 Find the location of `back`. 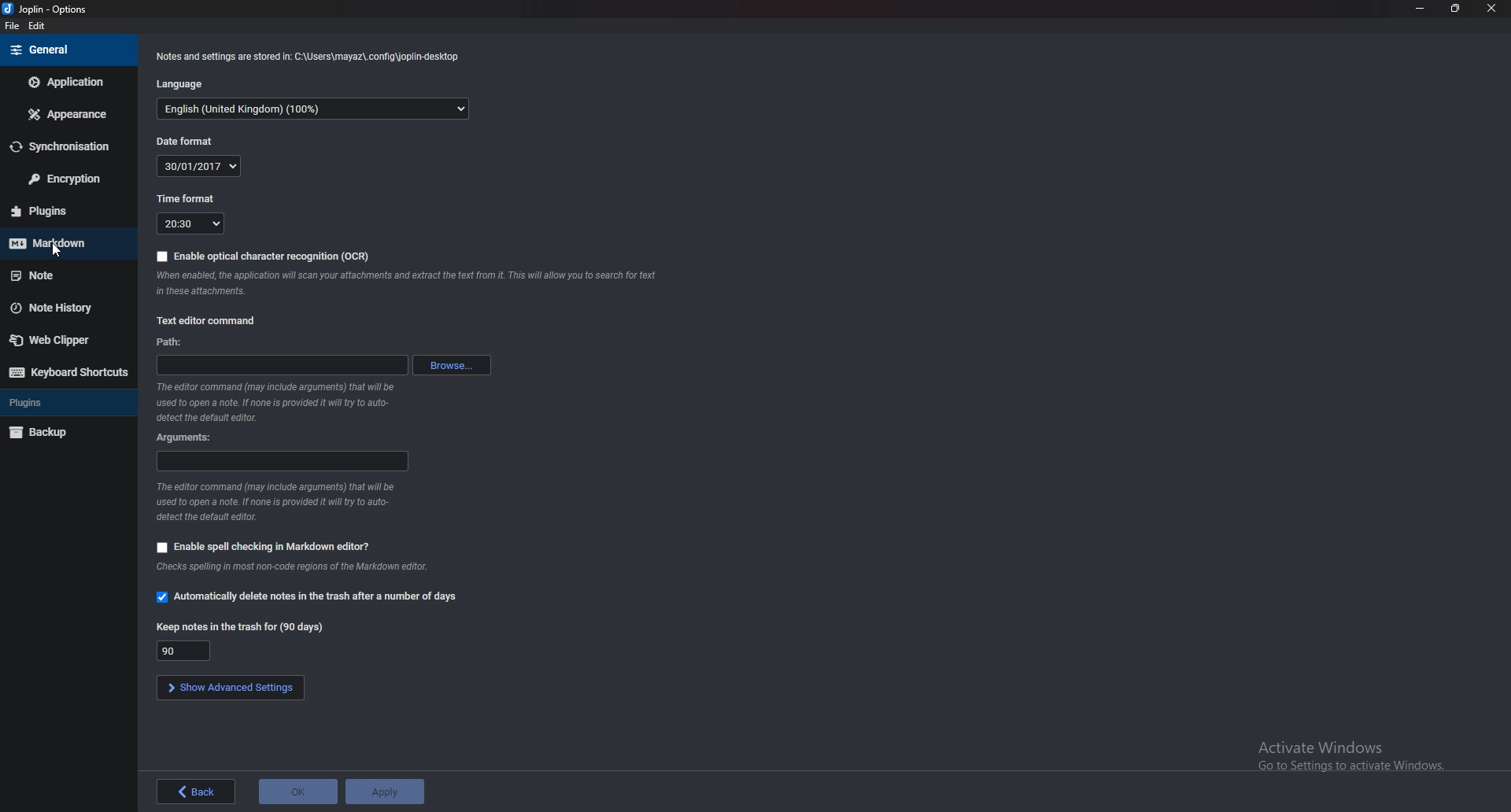

back is located at coordinates (199, 791).